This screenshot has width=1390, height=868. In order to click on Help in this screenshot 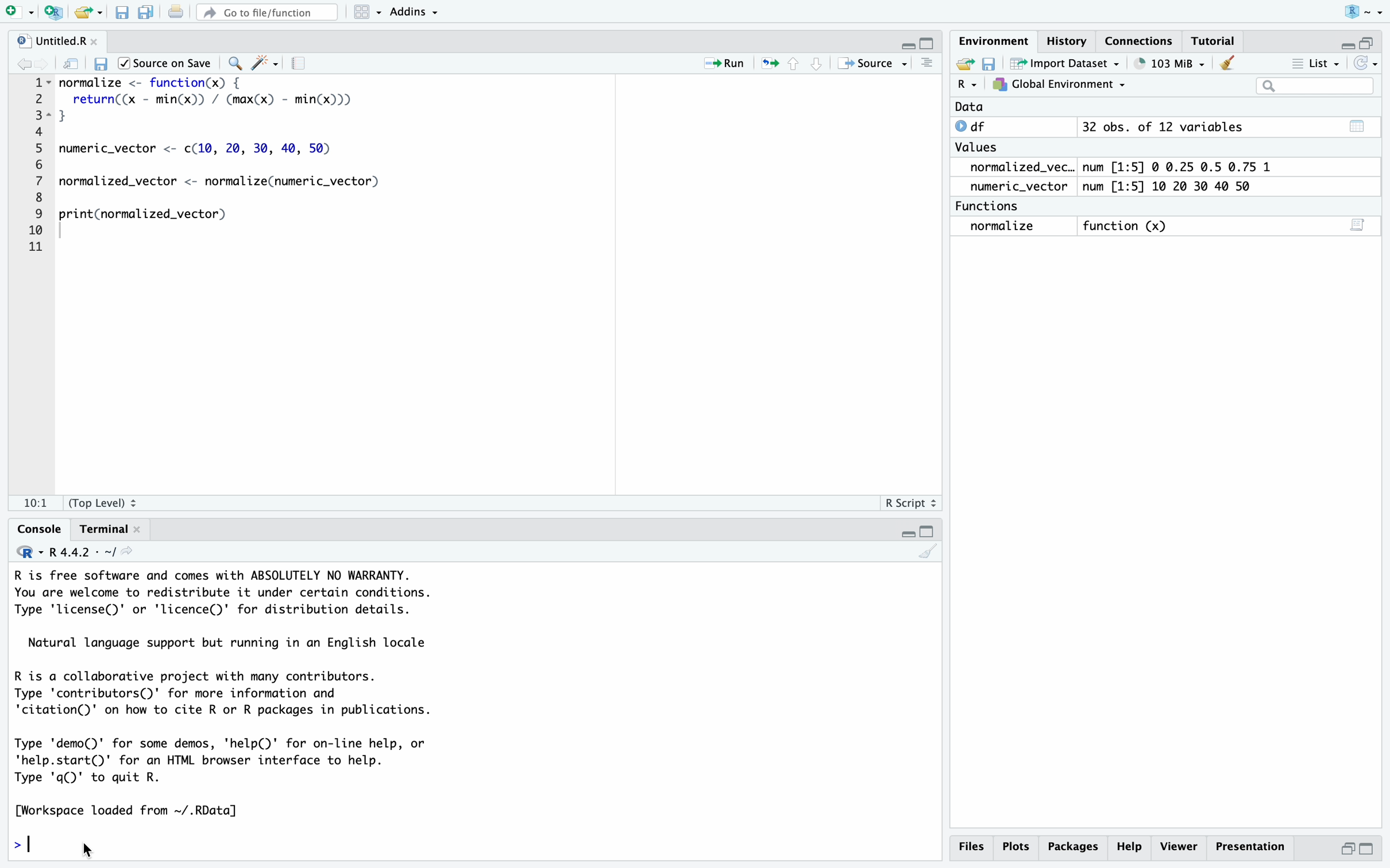, I will do `click(1129, 847)`.